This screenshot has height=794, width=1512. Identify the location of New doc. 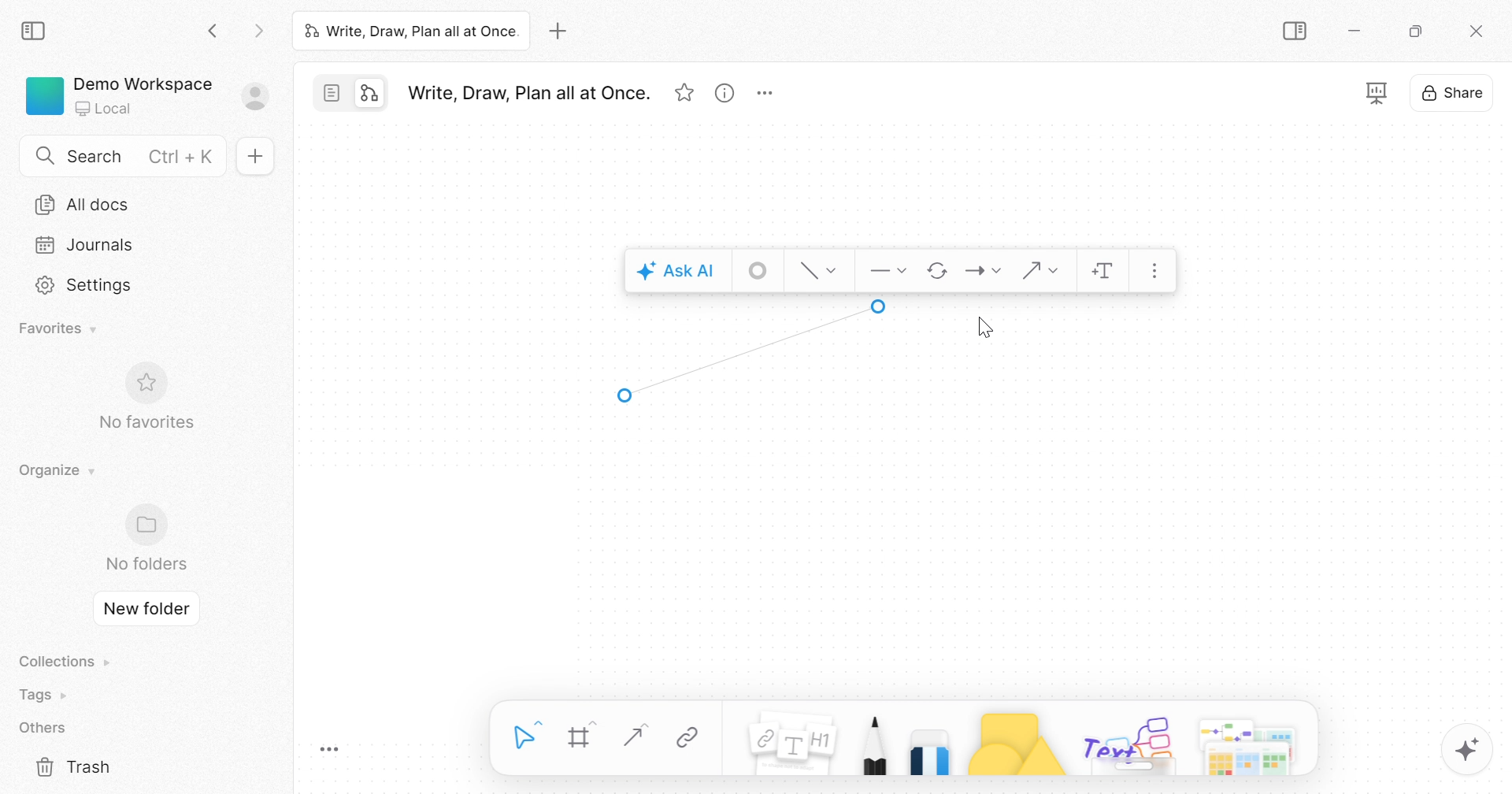
(258, 157).